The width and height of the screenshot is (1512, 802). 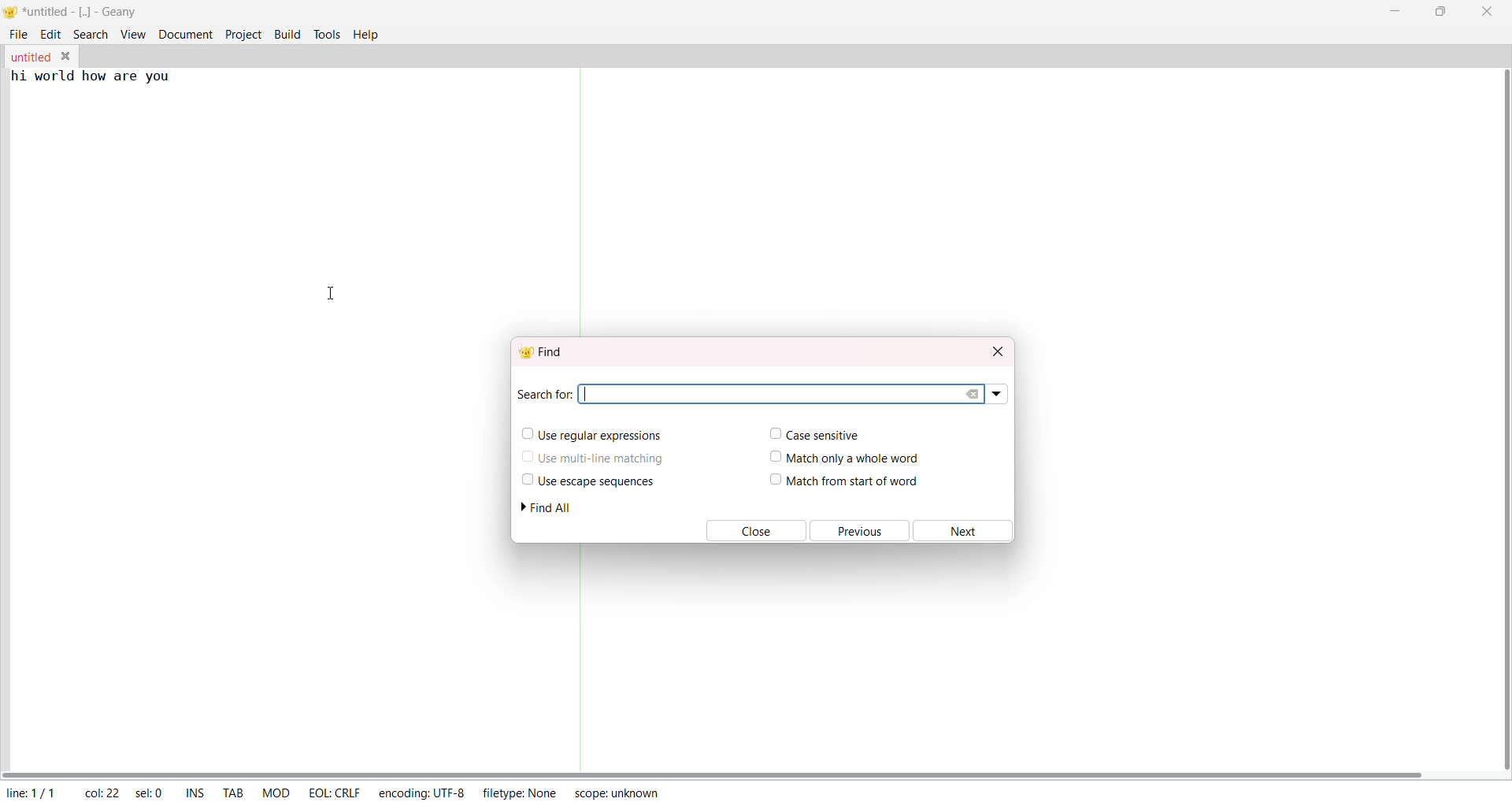 I want to click on vertical scroll bar, so click(x=1500, y=422).